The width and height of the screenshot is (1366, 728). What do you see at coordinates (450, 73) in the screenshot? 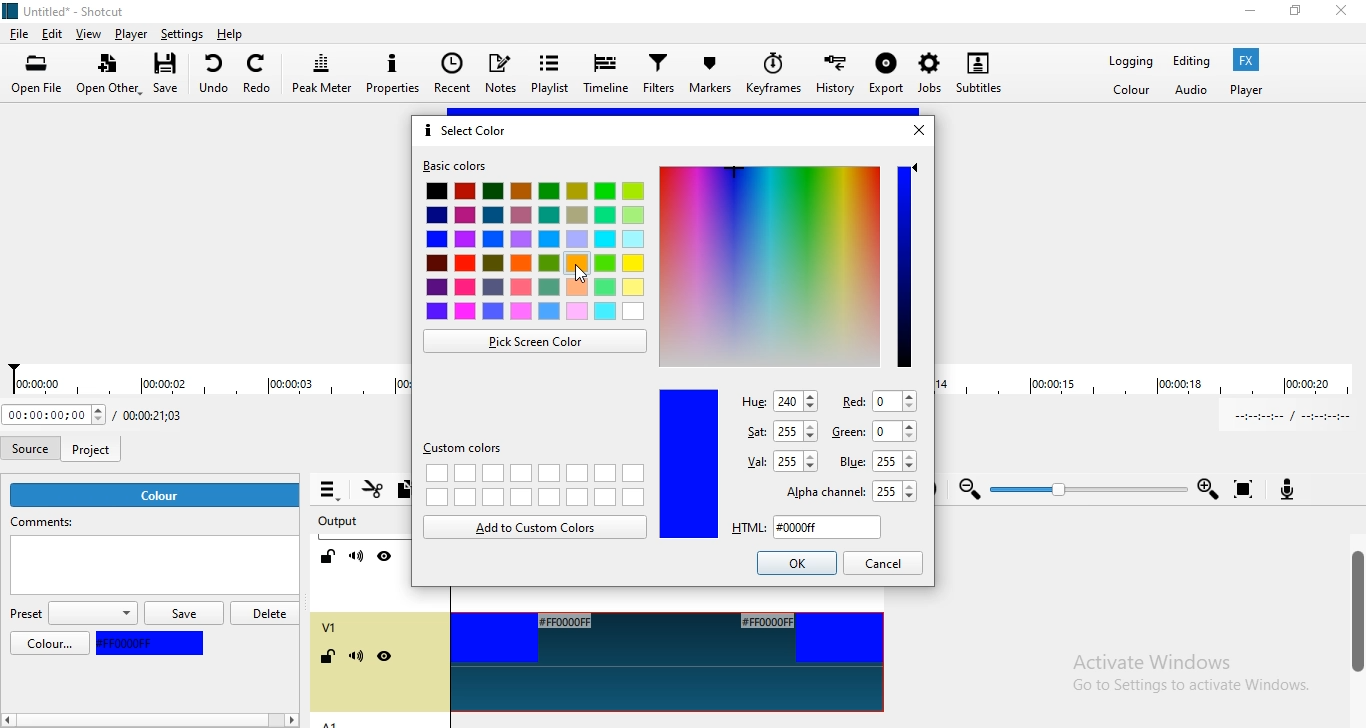
I see `Recent` at bounding box center [450, 73].